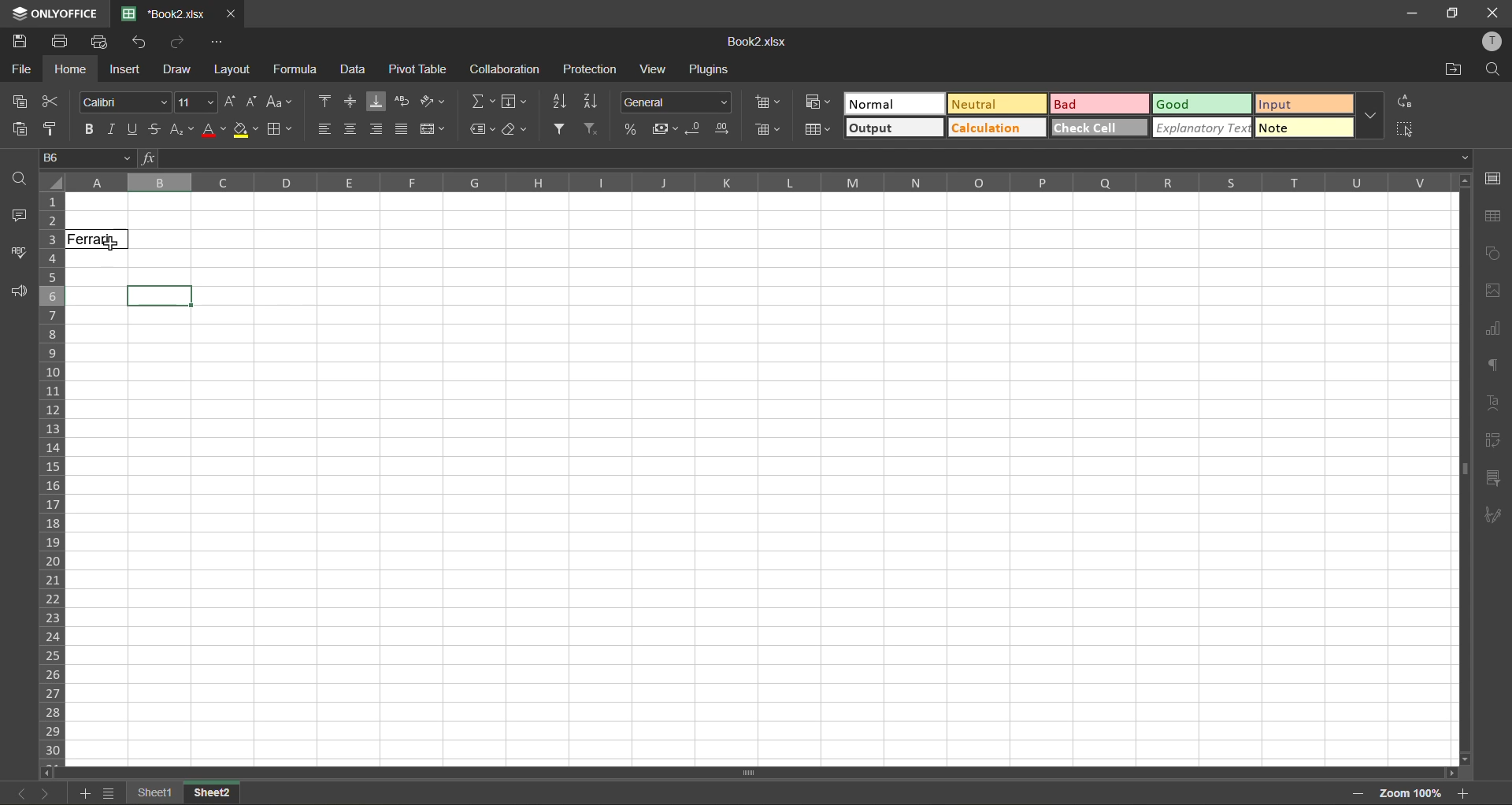 The height and width of the screenshot is (805, 1512). Describe the element at coordinates (122, 101) in the screenshot. I see `font style` at that location.